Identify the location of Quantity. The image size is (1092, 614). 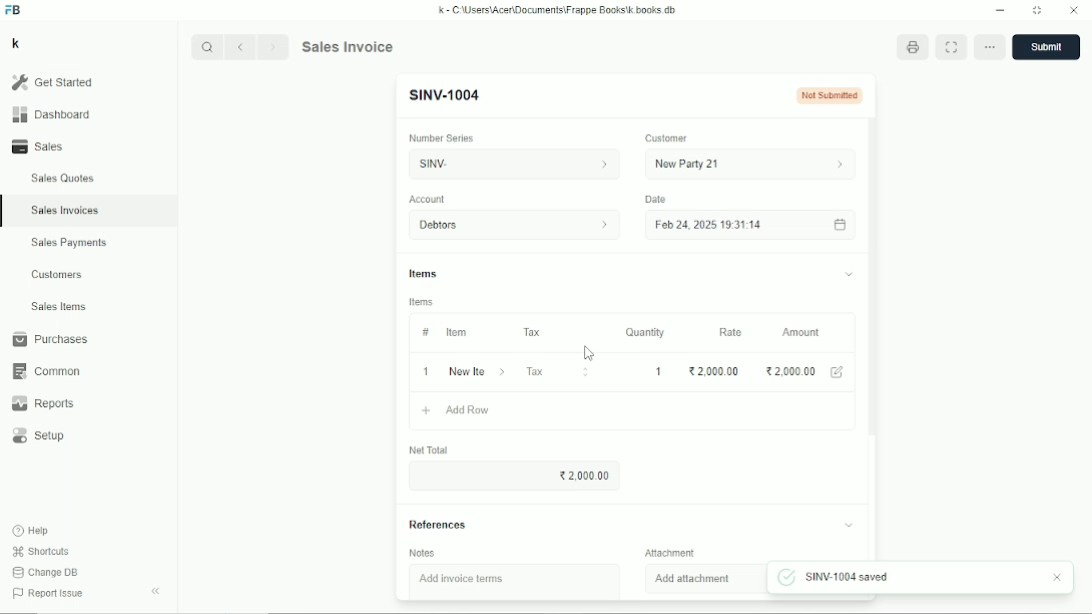
(645, 332).